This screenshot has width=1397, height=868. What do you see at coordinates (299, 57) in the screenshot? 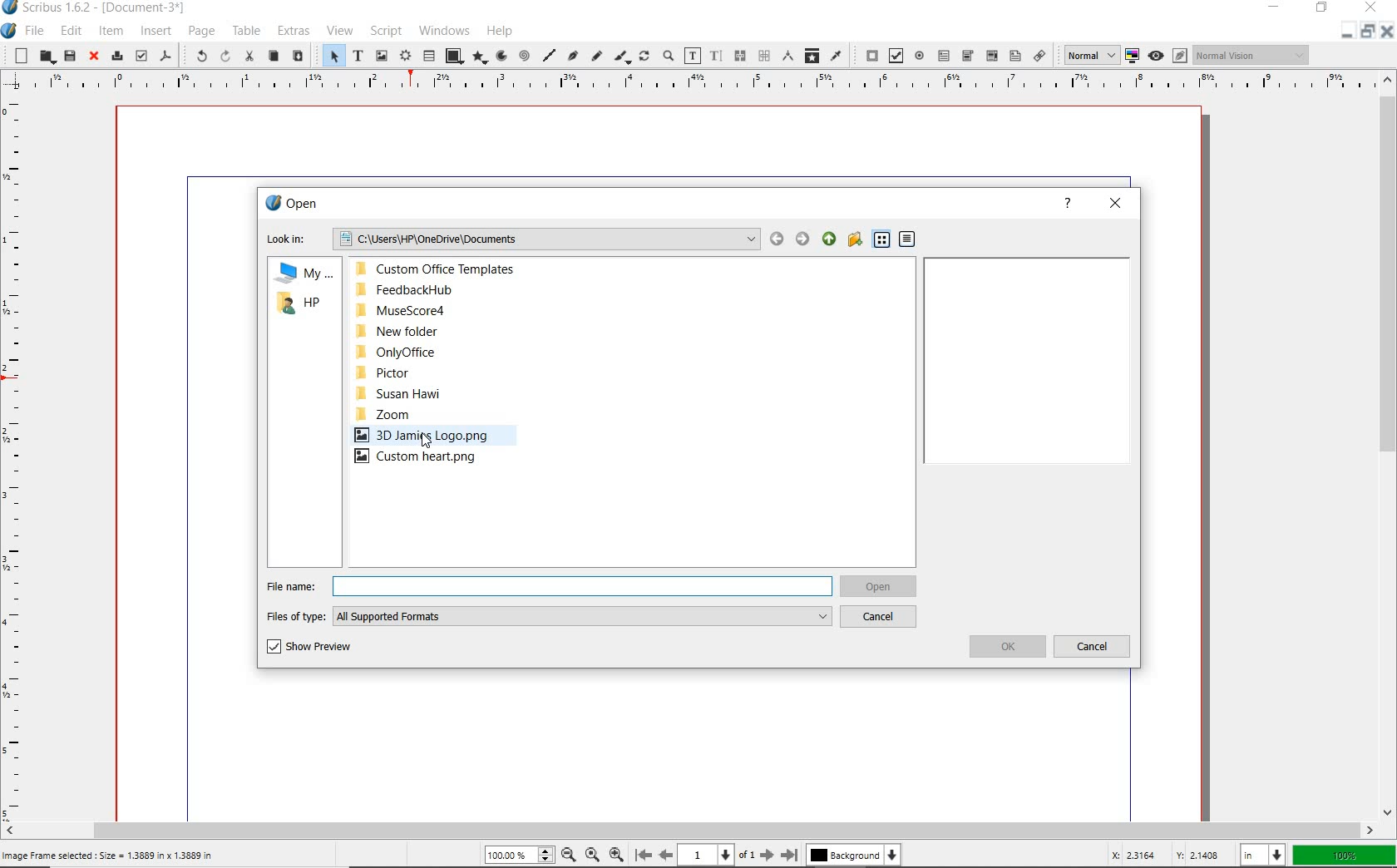
I see `paste` at bounding box center [299, 57].